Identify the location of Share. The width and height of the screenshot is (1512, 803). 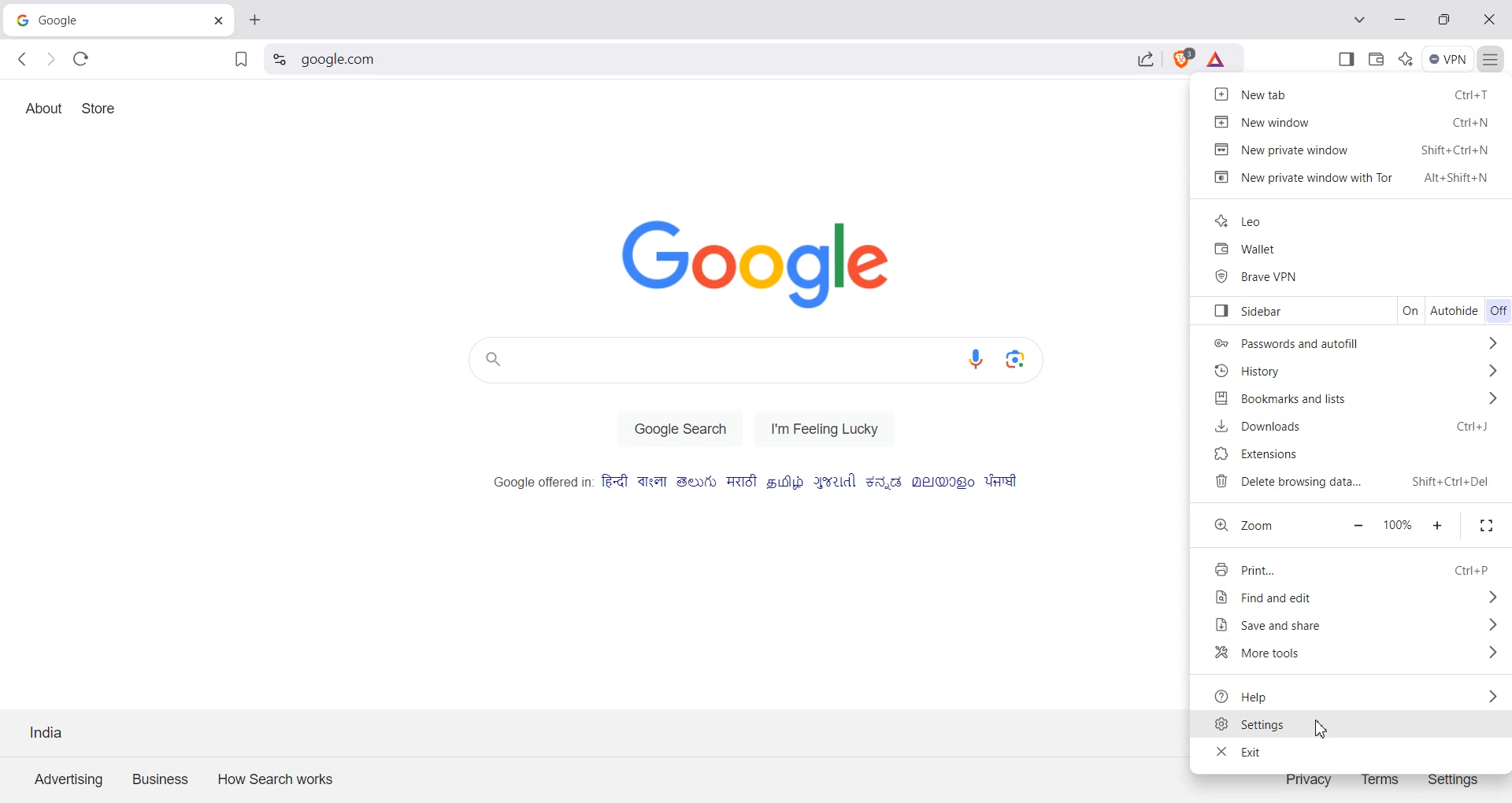
(1146, 61).